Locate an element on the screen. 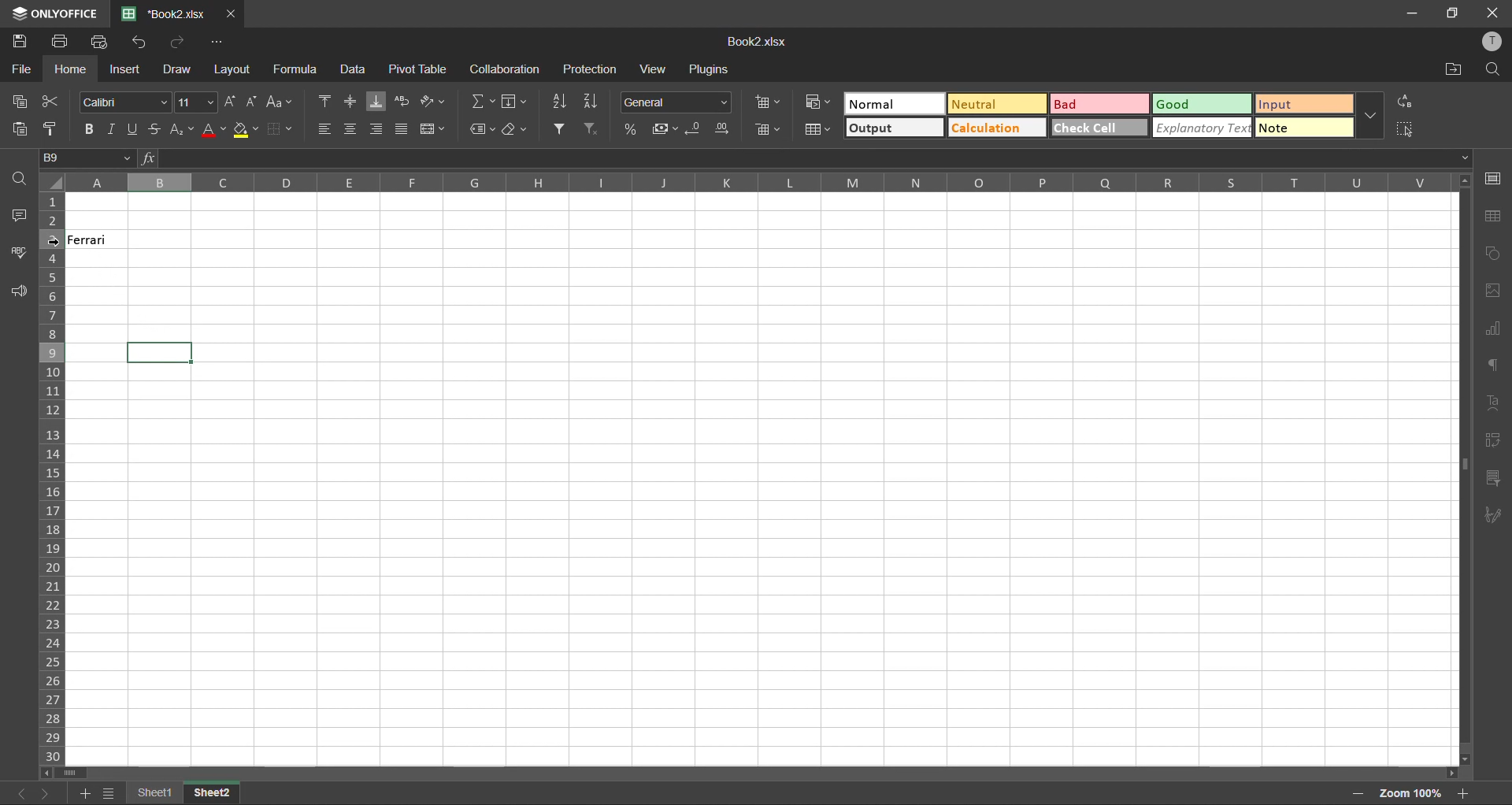  conditional formatting is located at coordinates (816, 101).